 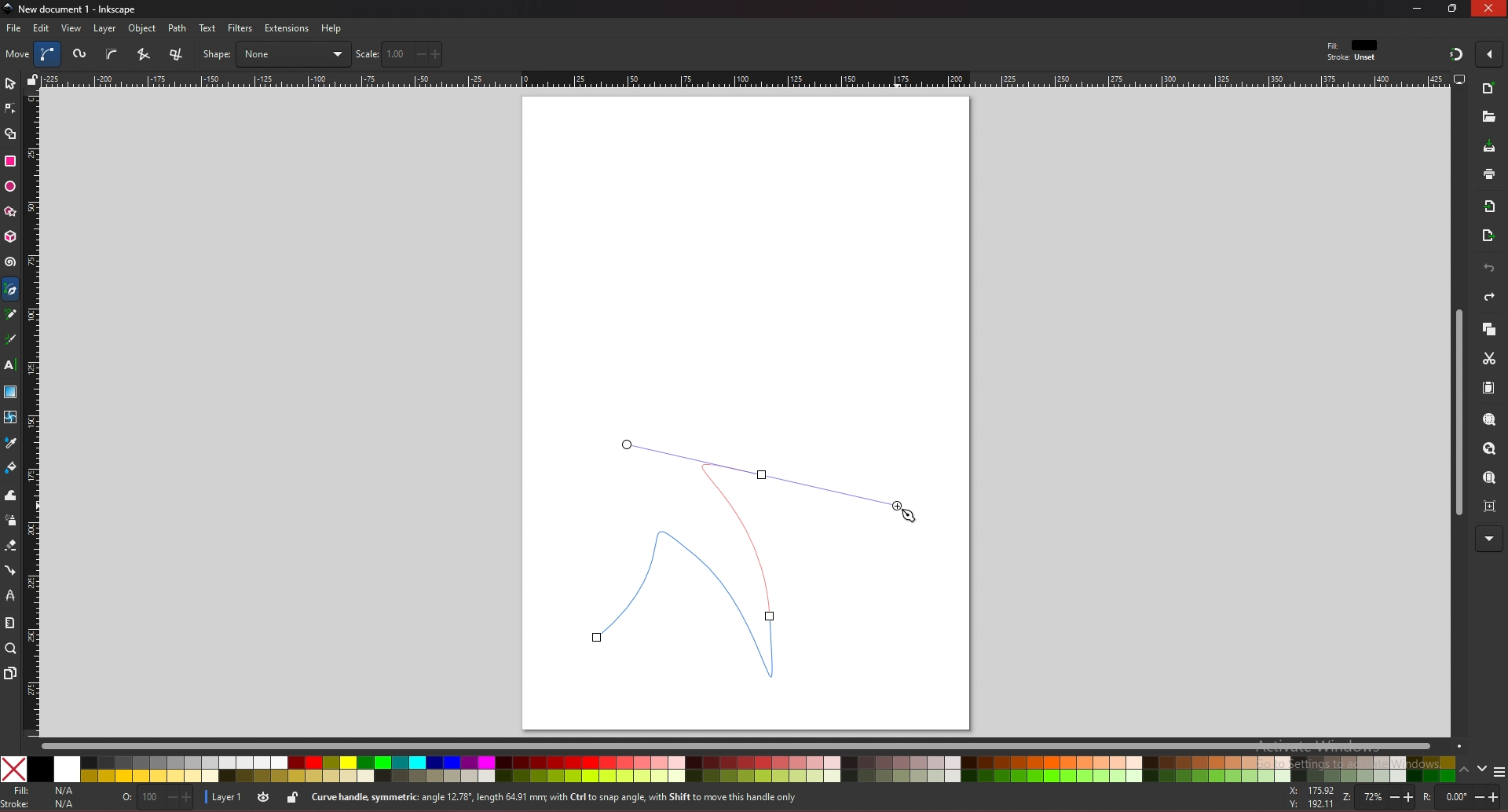 What do you see at coordinates (914, 514) in the screenshot?
I see `cursor` at bounding box center [914, 514].